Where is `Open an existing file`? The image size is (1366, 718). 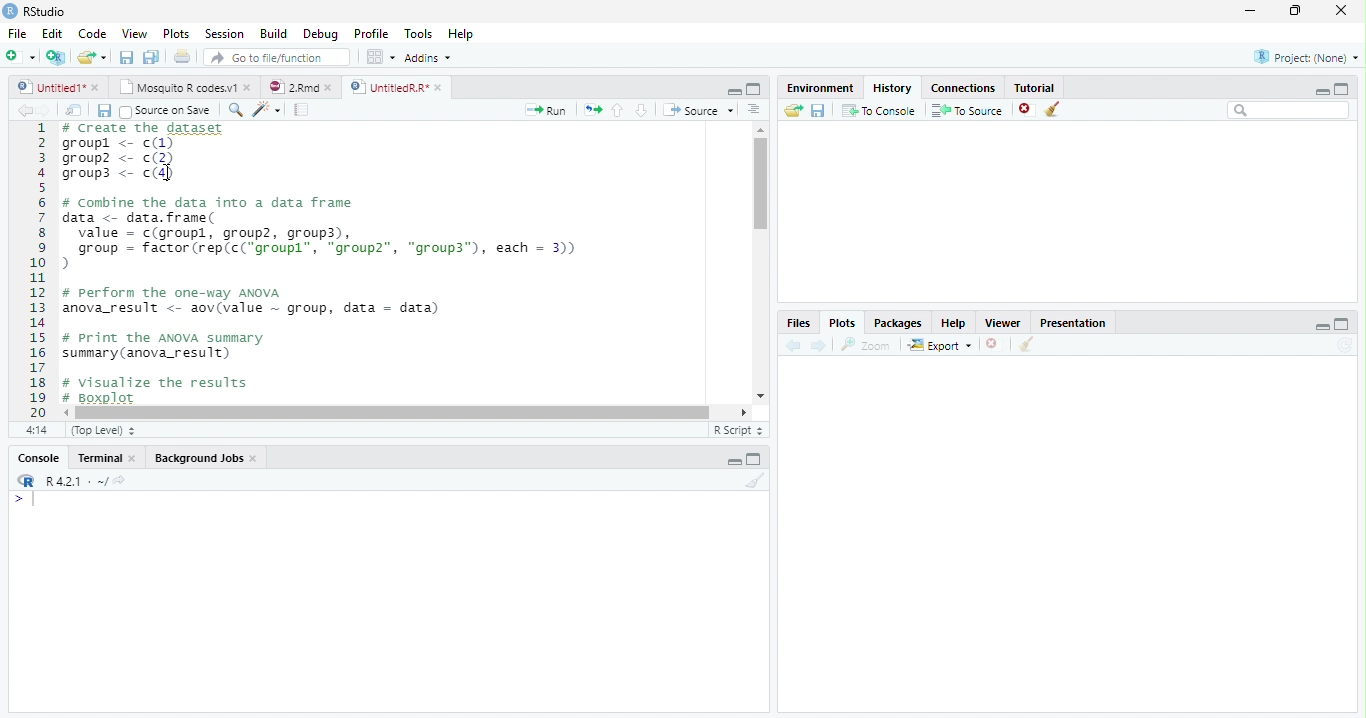
Open an existing file is located at coordinates (92, 57).